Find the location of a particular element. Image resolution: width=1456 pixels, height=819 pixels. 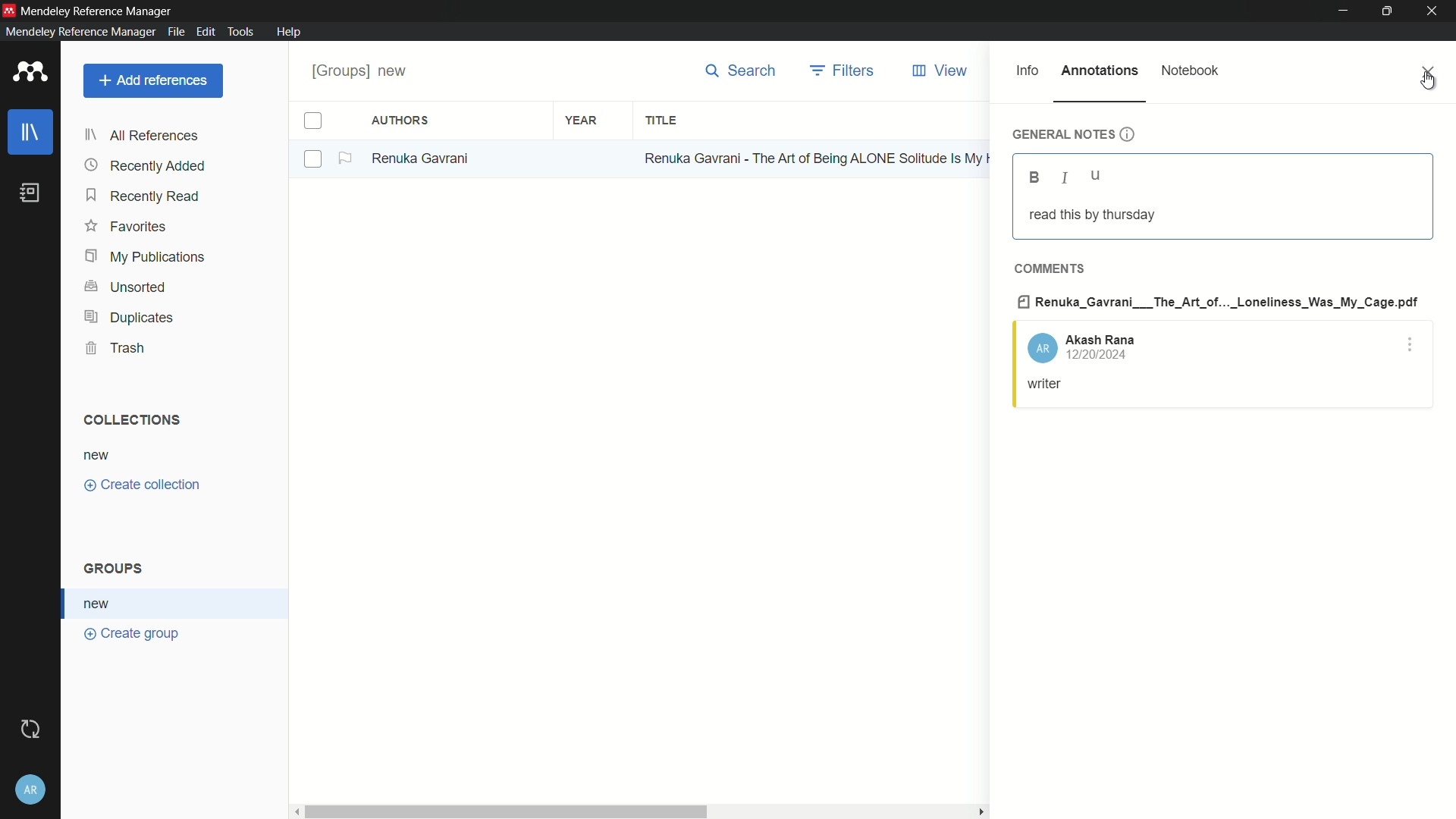

Renuka Gavrani The Art of Loneliness Was My Cage.pdf is located at coordinates (1219, 300).